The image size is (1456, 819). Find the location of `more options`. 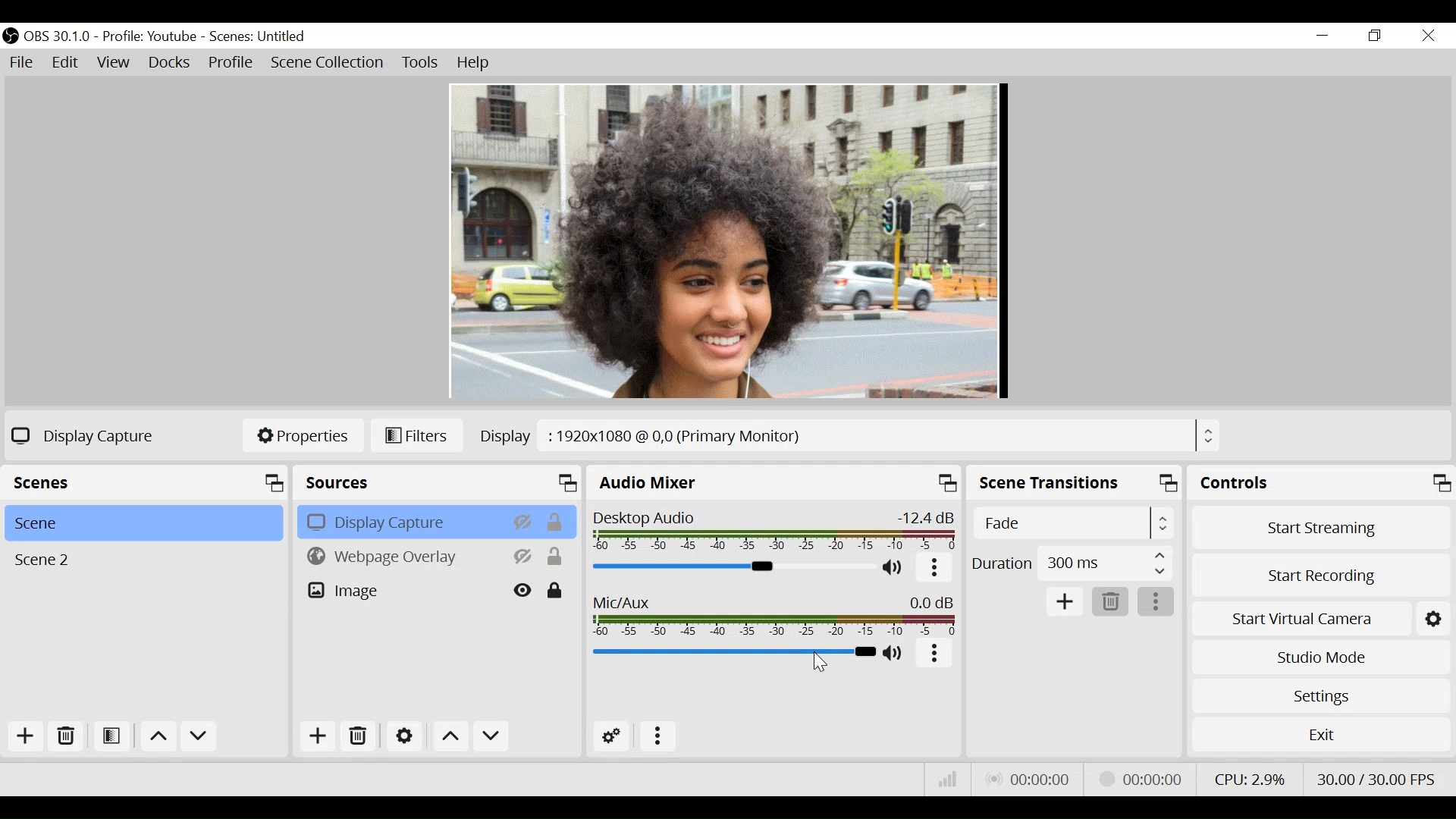

more options is located at coordinates (658, 735).